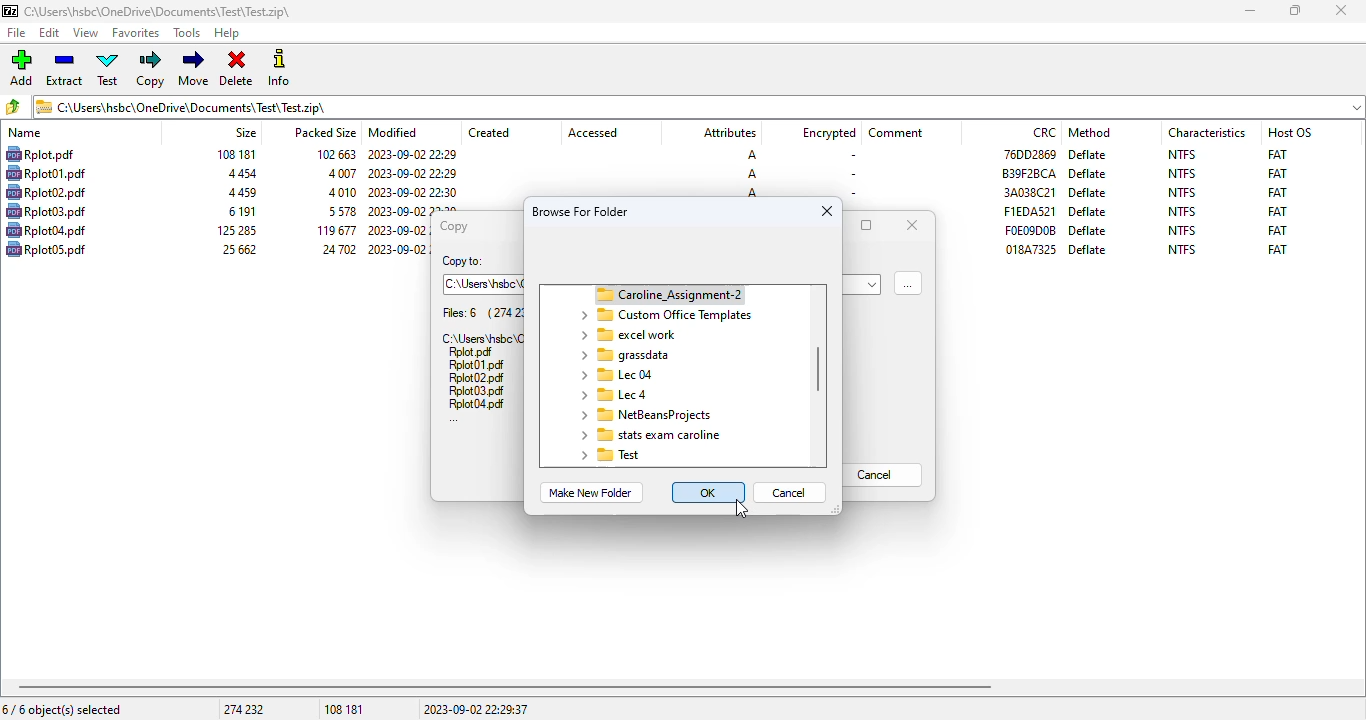 The image size is (1366, 720). I want to click on CRC, so click(1029, 192).